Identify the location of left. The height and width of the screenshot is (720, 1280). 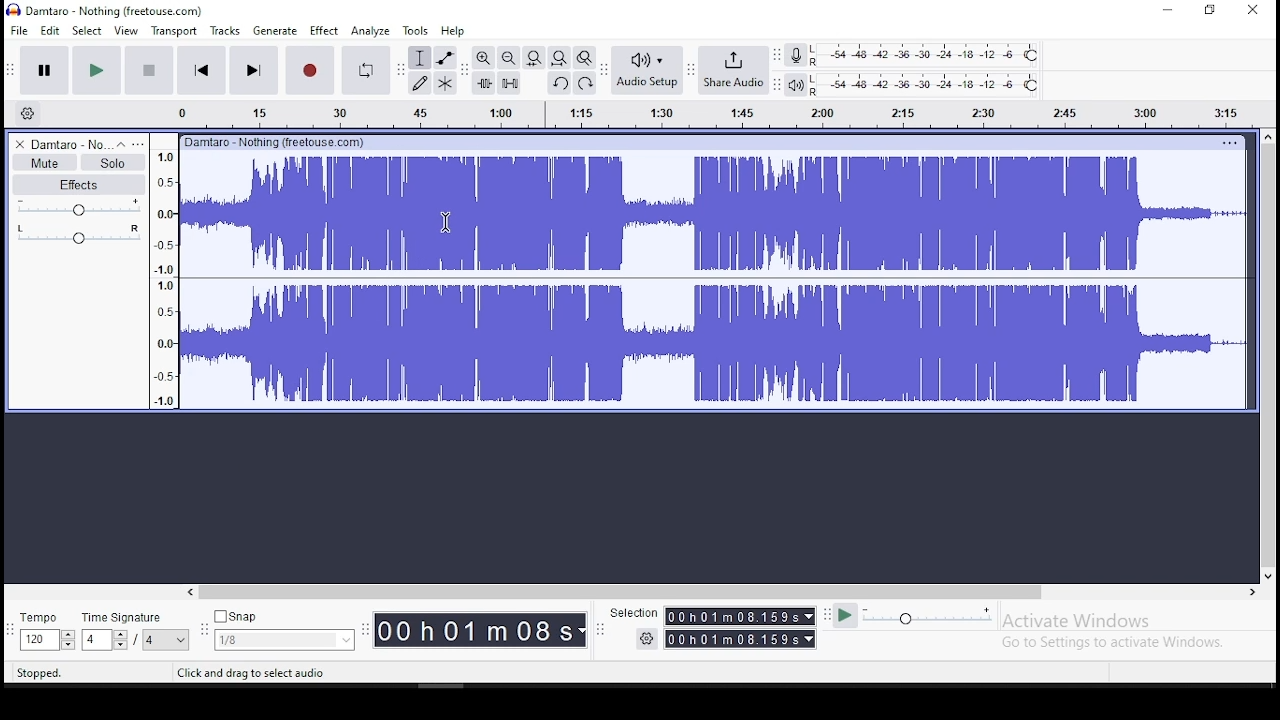
(193, 592).